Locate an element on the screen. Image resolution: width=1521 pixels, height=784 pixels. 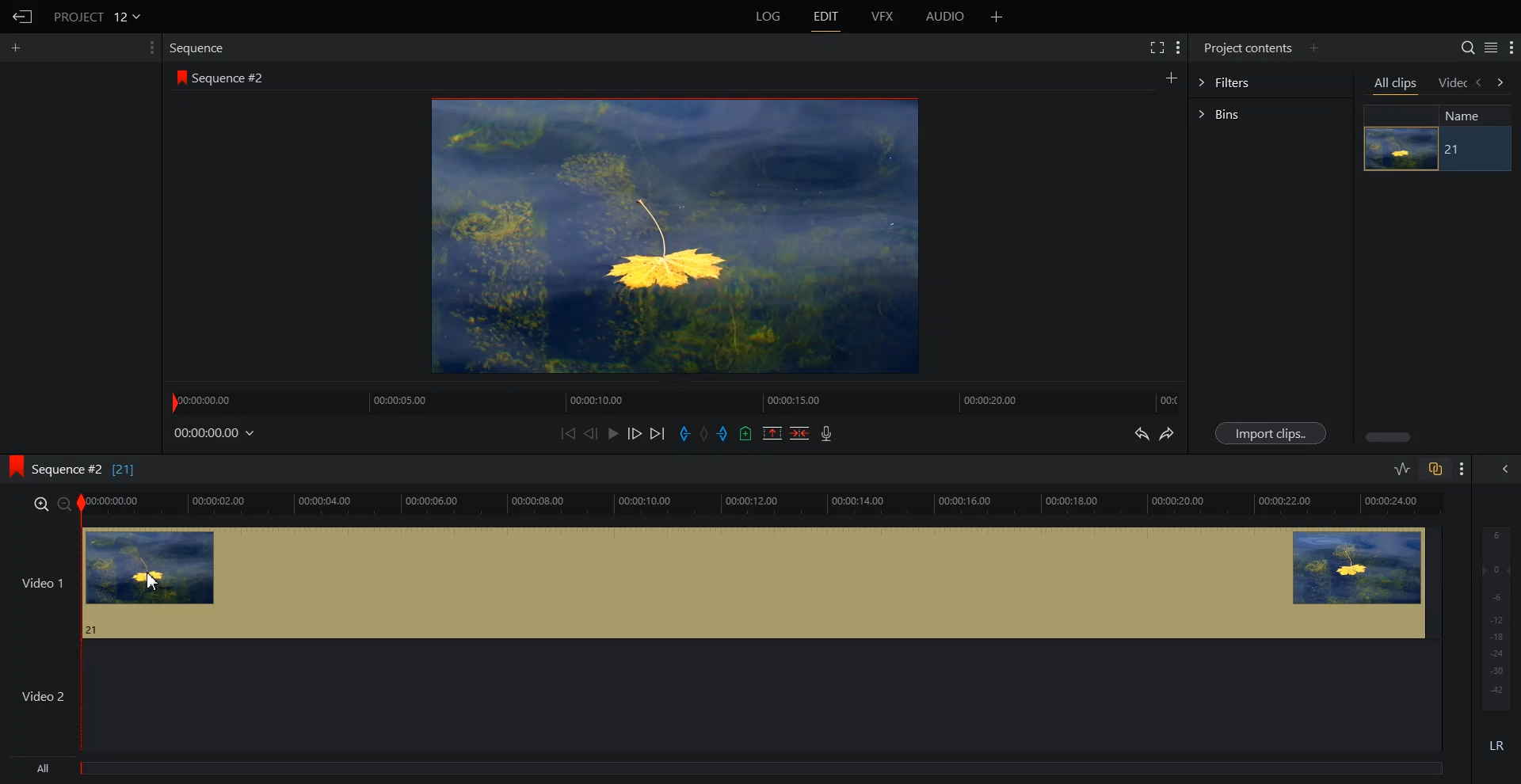
Full screen is located at coordinates (1154, 48).